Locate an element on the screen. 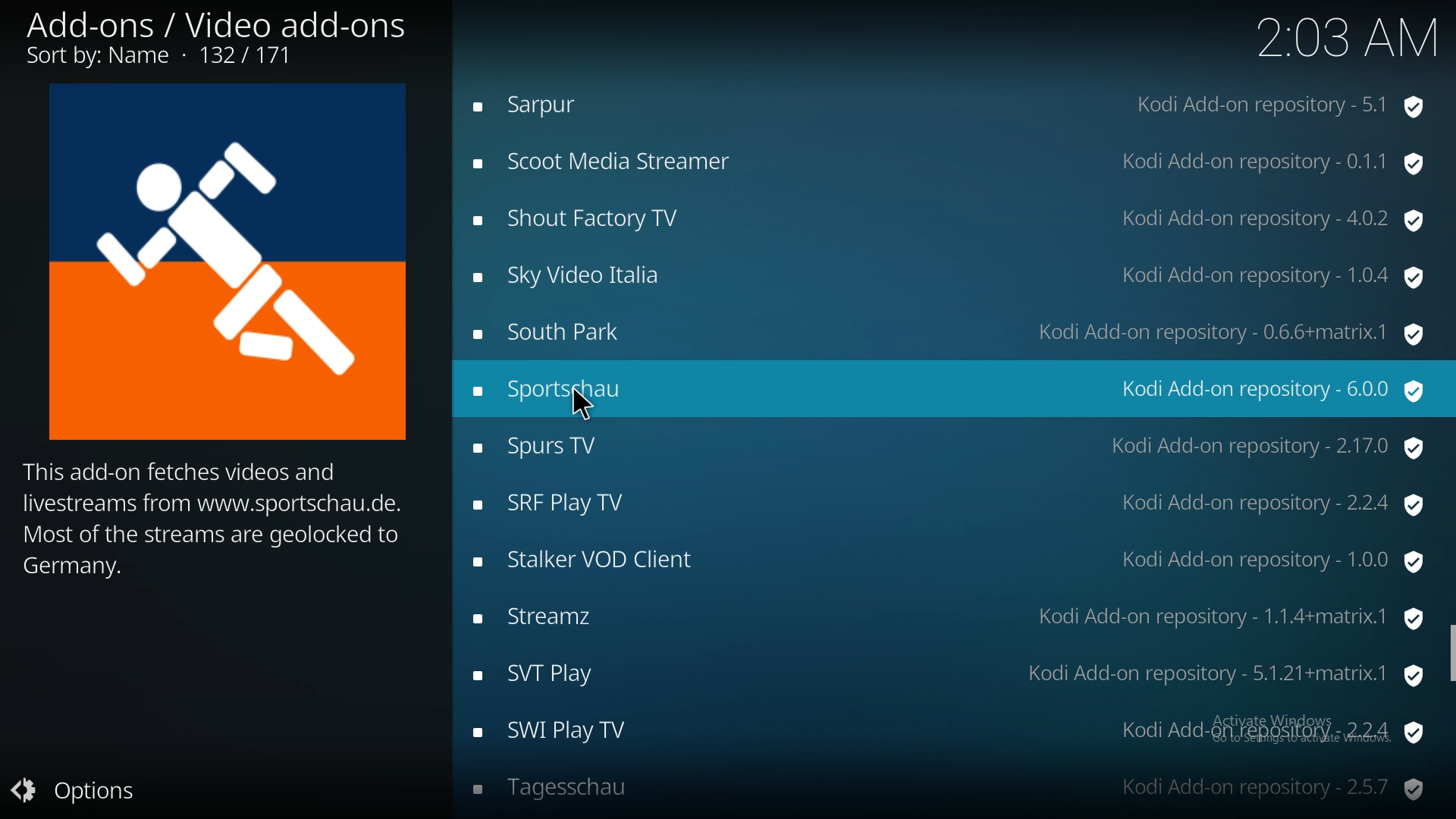 Image resolution: width=1456 pixels, height=819 pixels. south park is located at coordinates (953, 331).